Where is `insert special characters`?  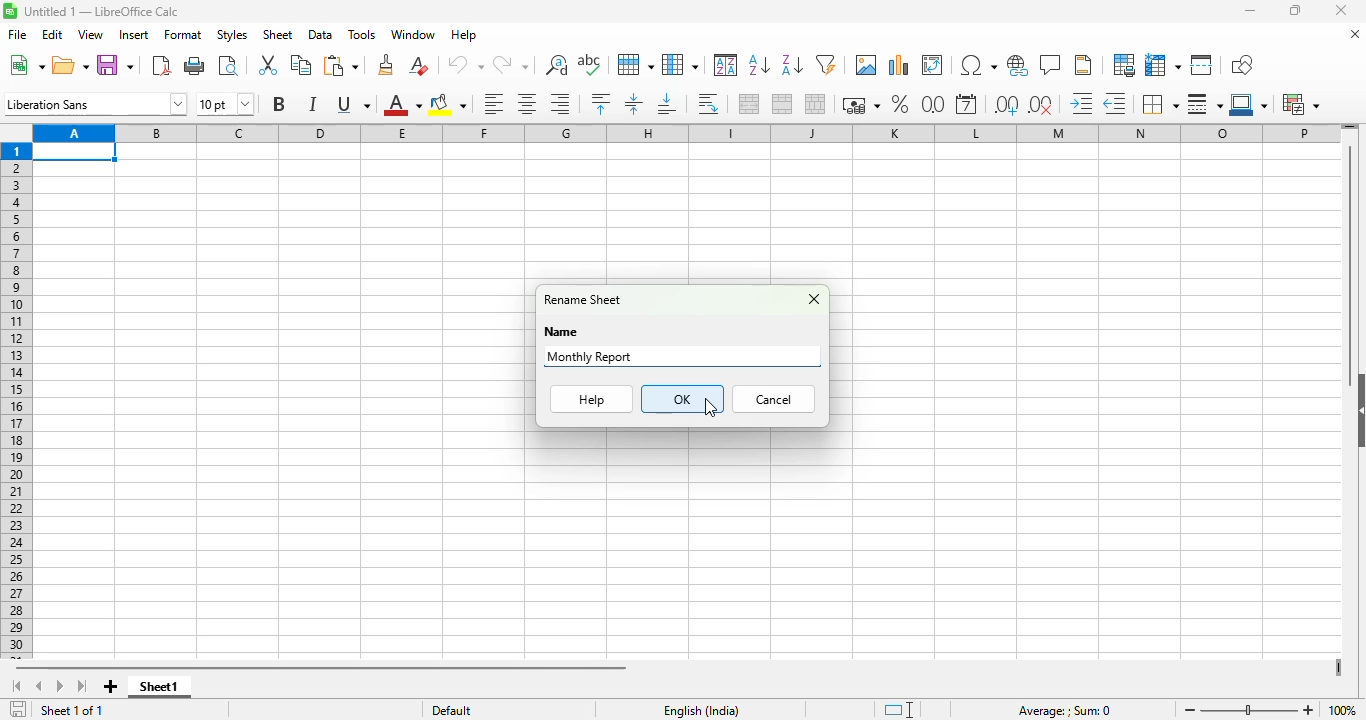
insert special characters is located at coordinates (978, 66).